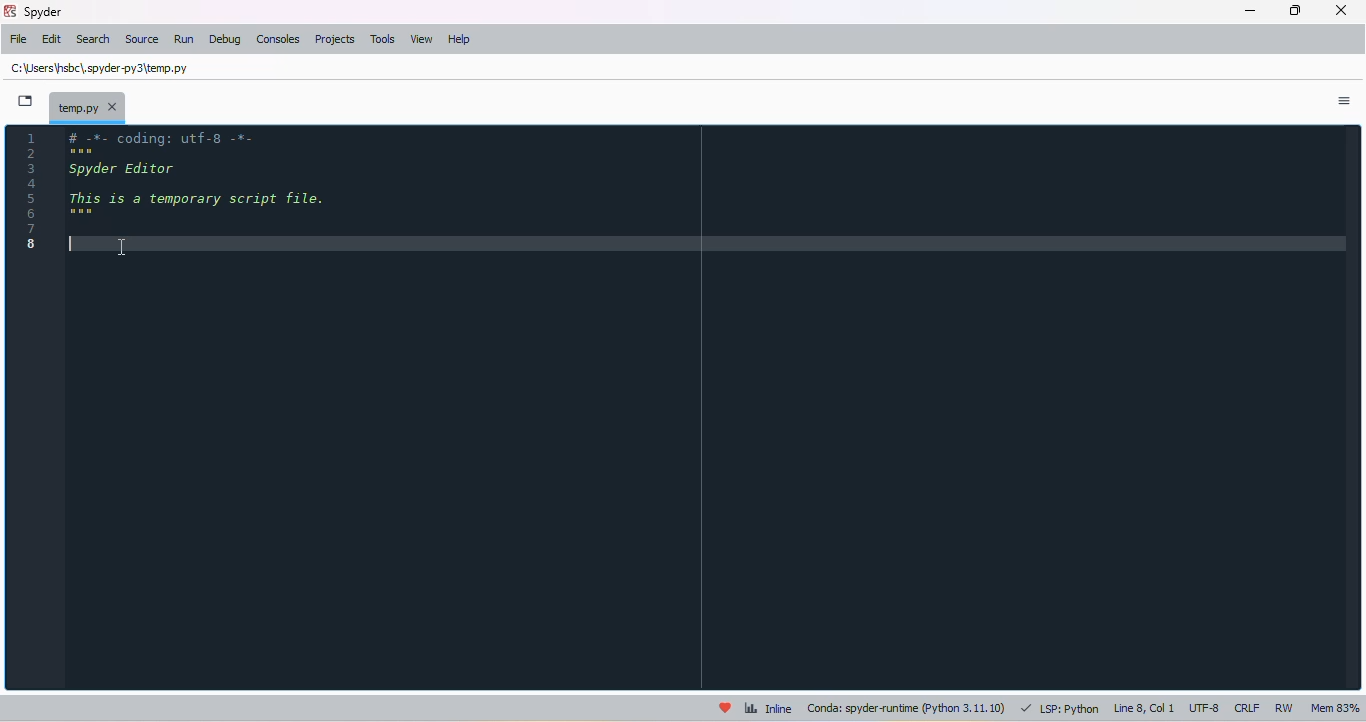 This screenshot has height=722, width=1366. What do you see at coordinates (1287, 708) in the screenshot?
I see `RW` at bounding box center [1287, 708].